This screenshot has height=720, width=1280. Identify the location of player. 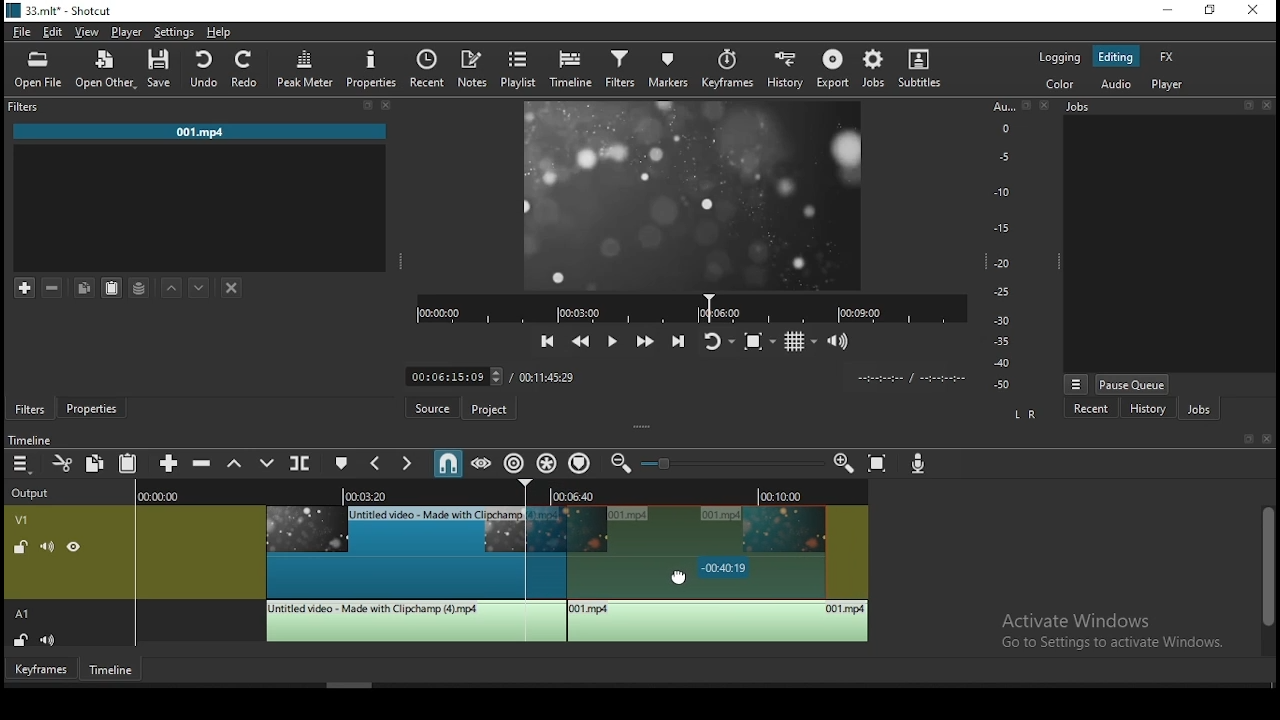
(126, 32).